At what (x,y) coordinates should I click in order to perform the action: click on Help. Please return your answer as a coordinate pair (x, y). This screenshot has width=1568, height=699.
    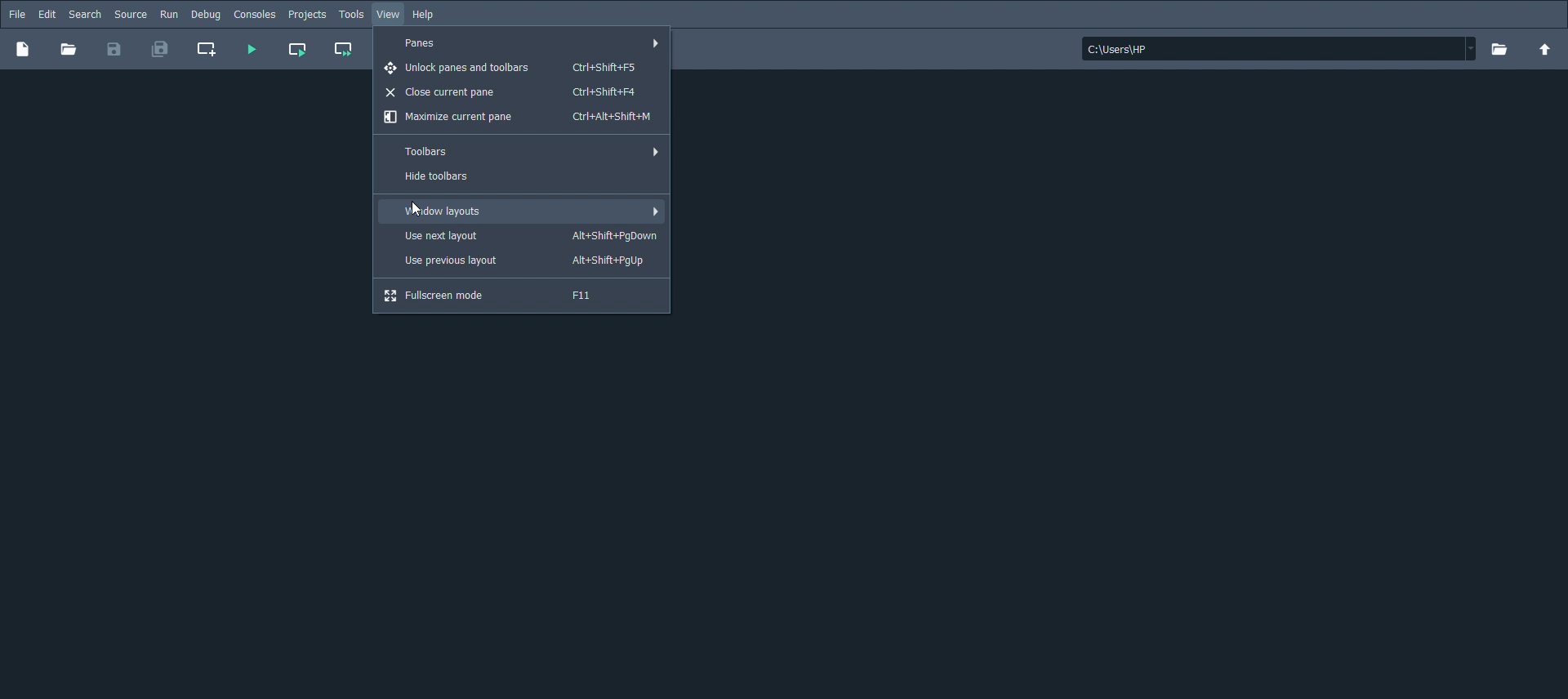
    Looking at the image, I should click on (429, 16).